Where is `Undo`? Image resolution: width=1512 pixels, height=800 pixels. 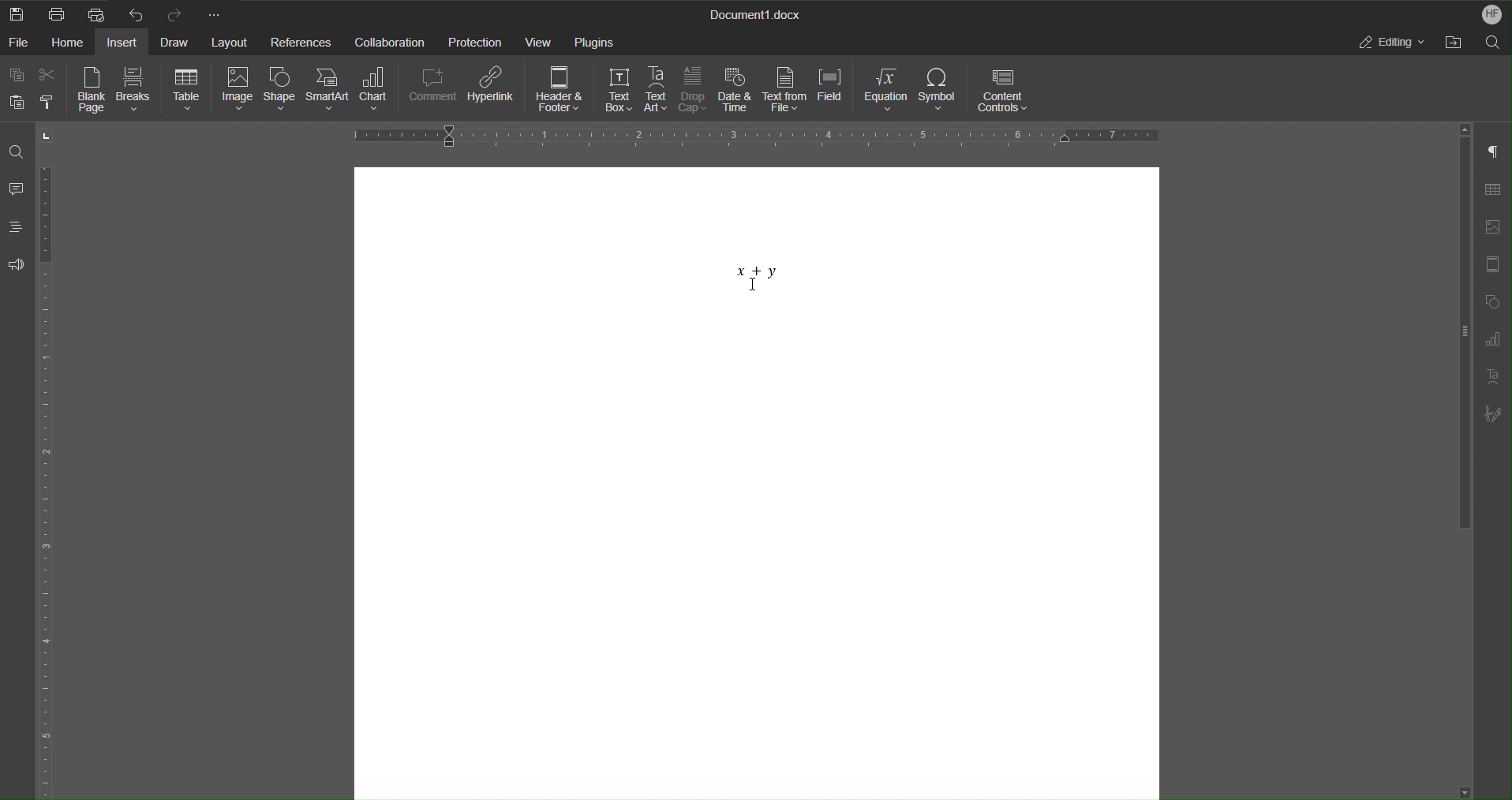 Undo is located at coordinates (140, 13).